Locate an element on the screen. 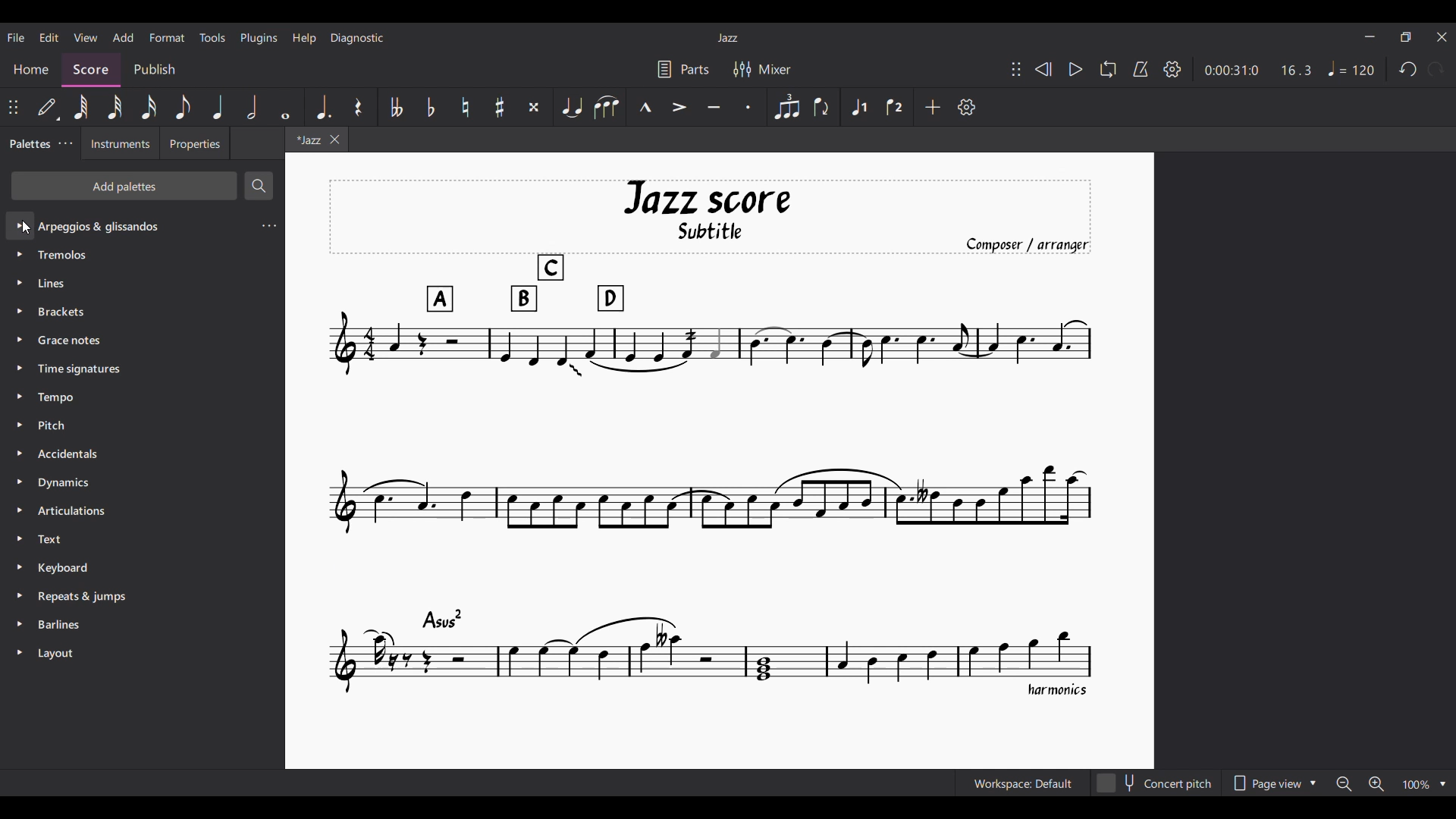 Image resolution: width=1456 pixels, height=819 pixels. Default is located at coordinates (49, 107).